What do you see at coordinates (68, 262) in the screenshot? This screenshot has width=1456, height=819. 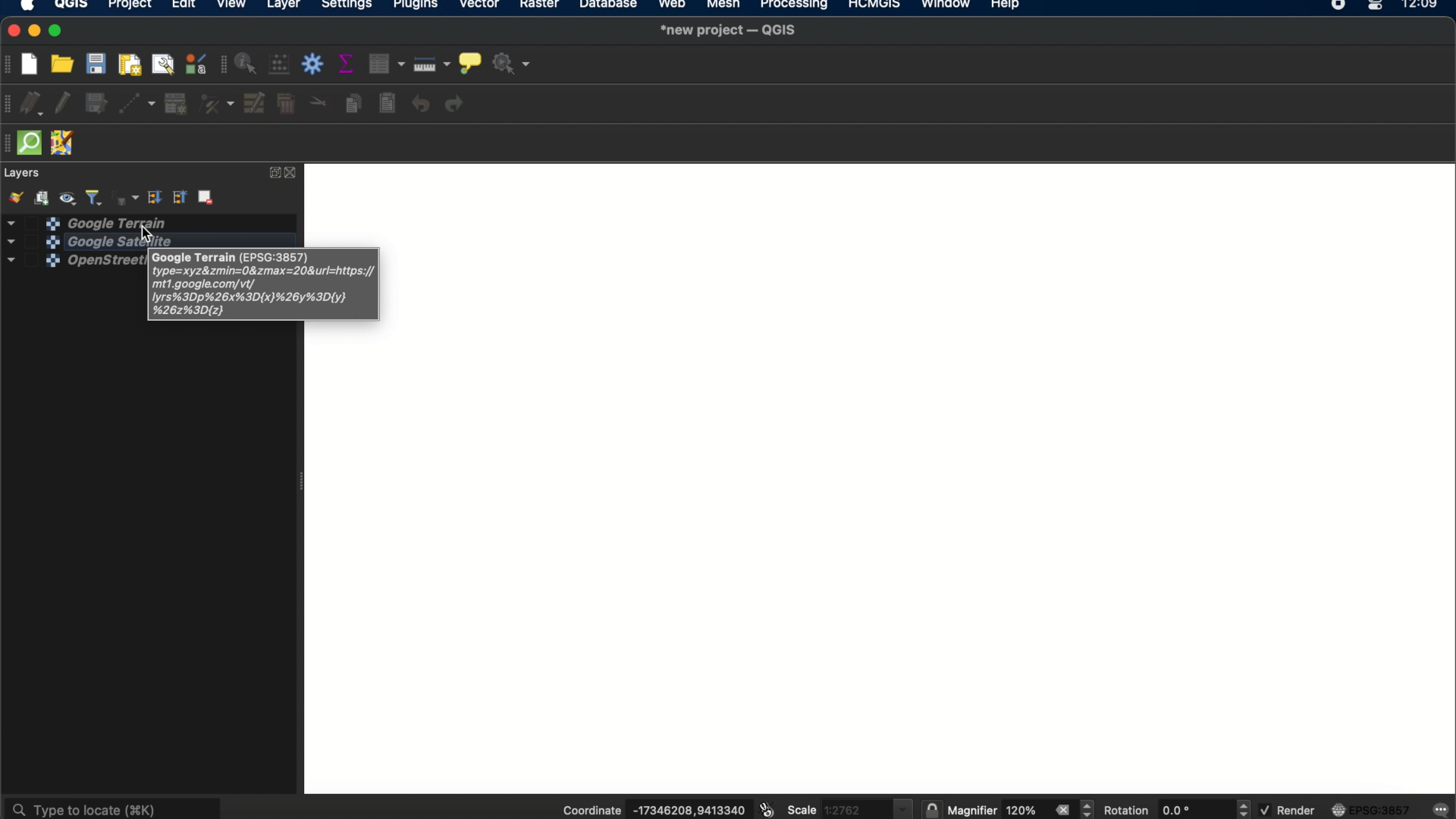 I see `open street map` at bounding box center [68, 262].